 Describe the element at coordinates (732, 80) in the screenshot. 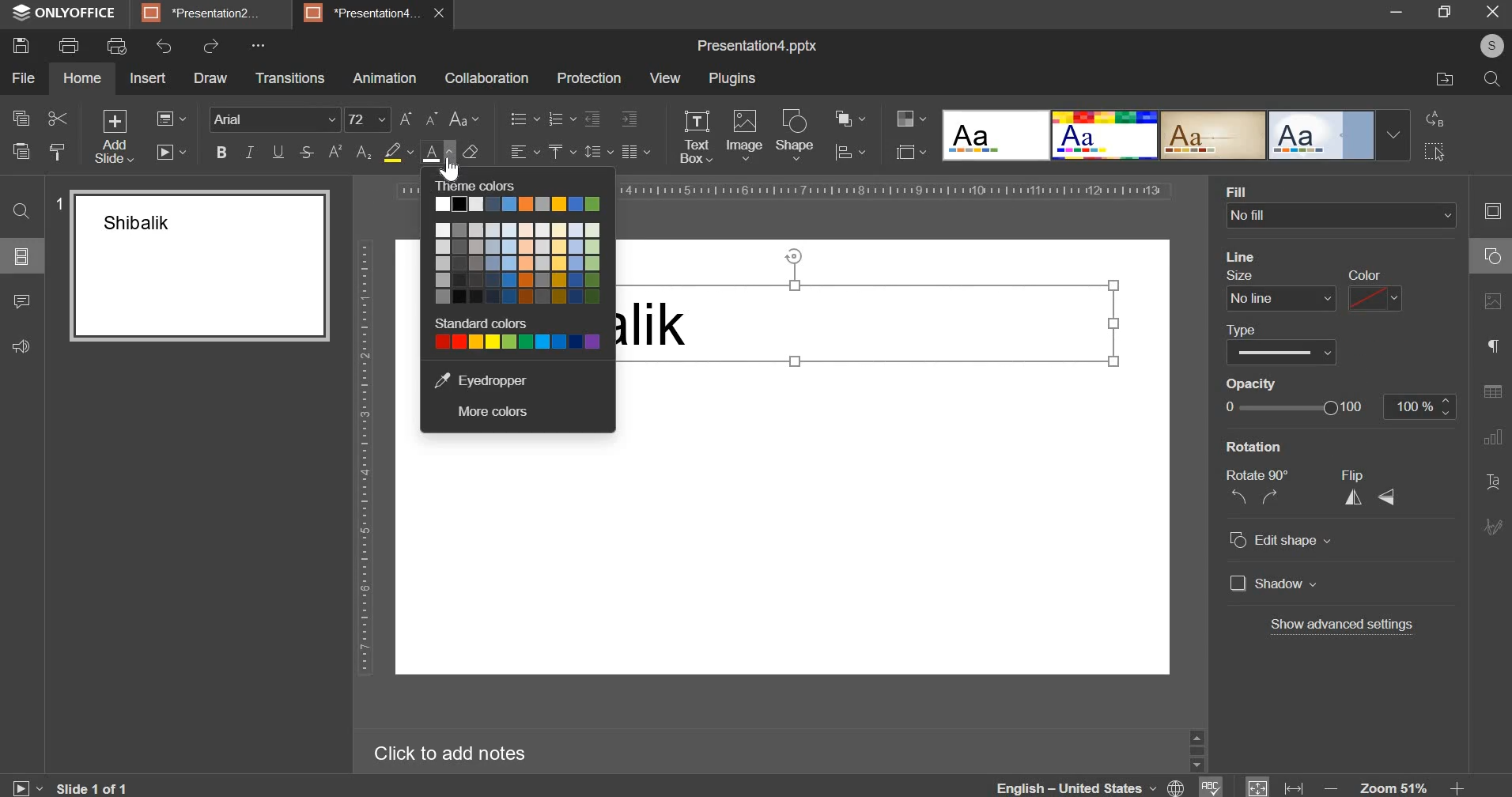

I see `plugins` at that location.